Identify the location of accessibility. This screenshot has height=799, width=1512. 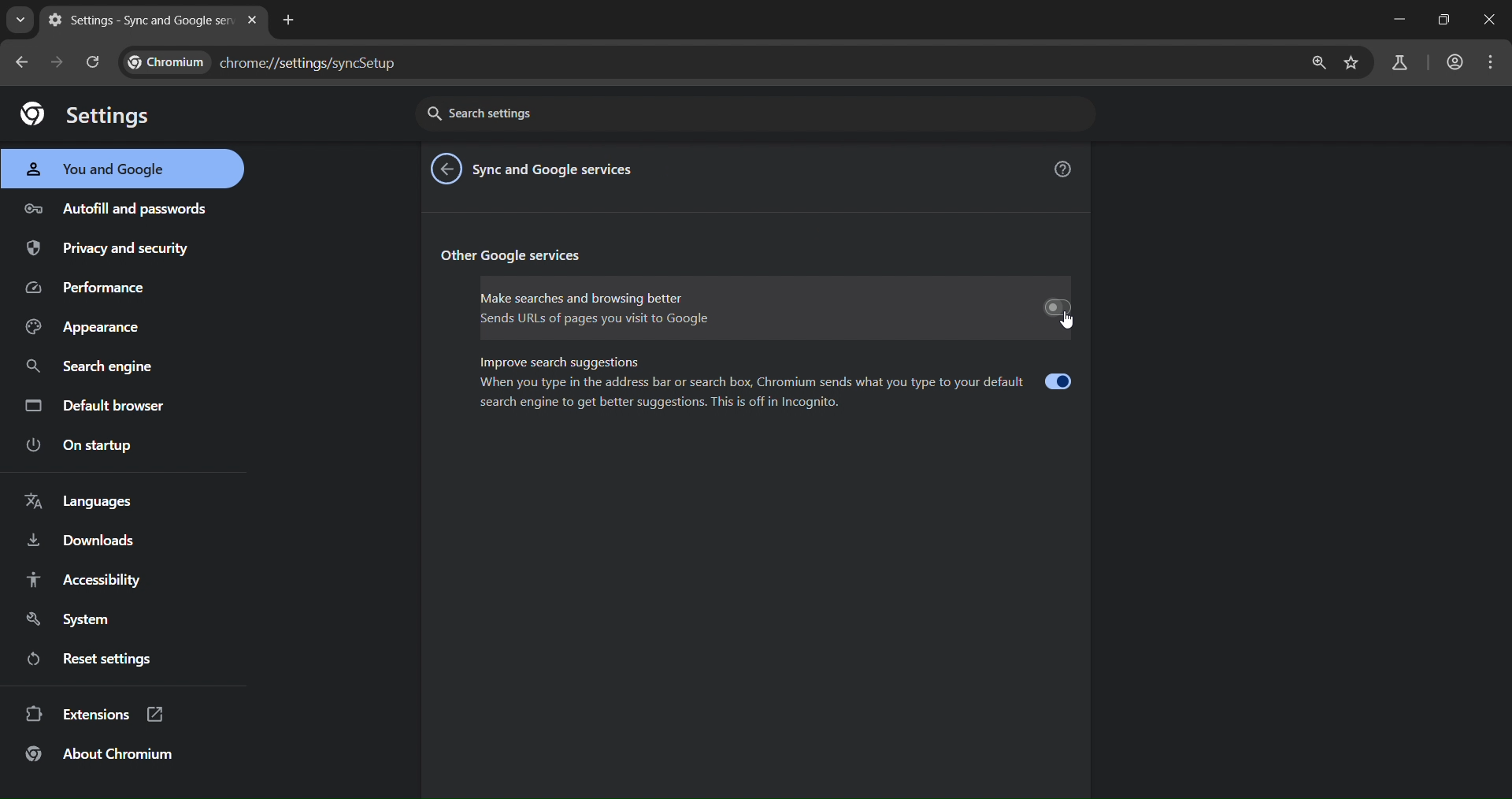
(88, 581).